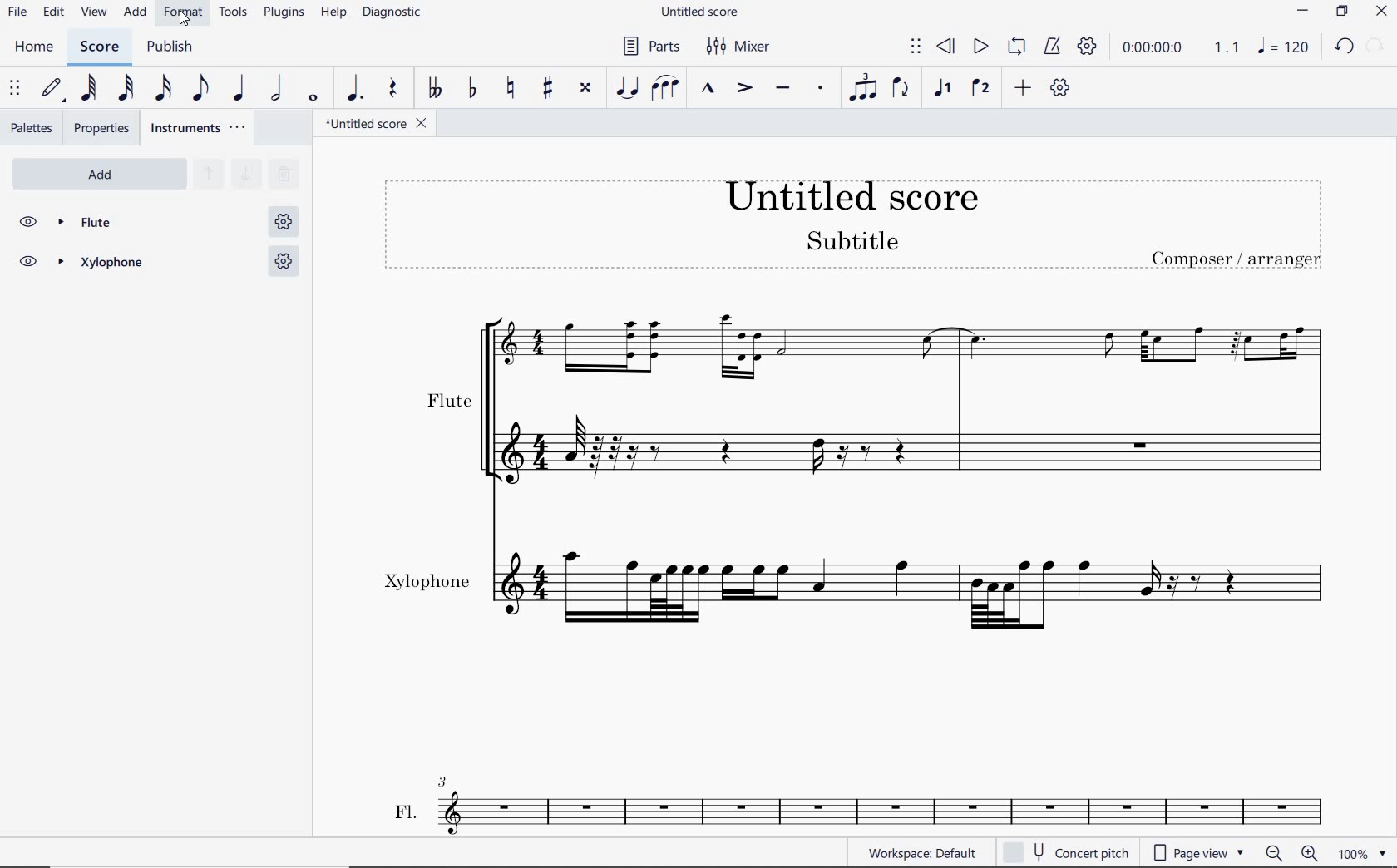 The image size is (1397, 868). What do you see at coordinates (1052, 47) in the screenshot?
I see `METRONOME` at bounding box center [1052, 47].